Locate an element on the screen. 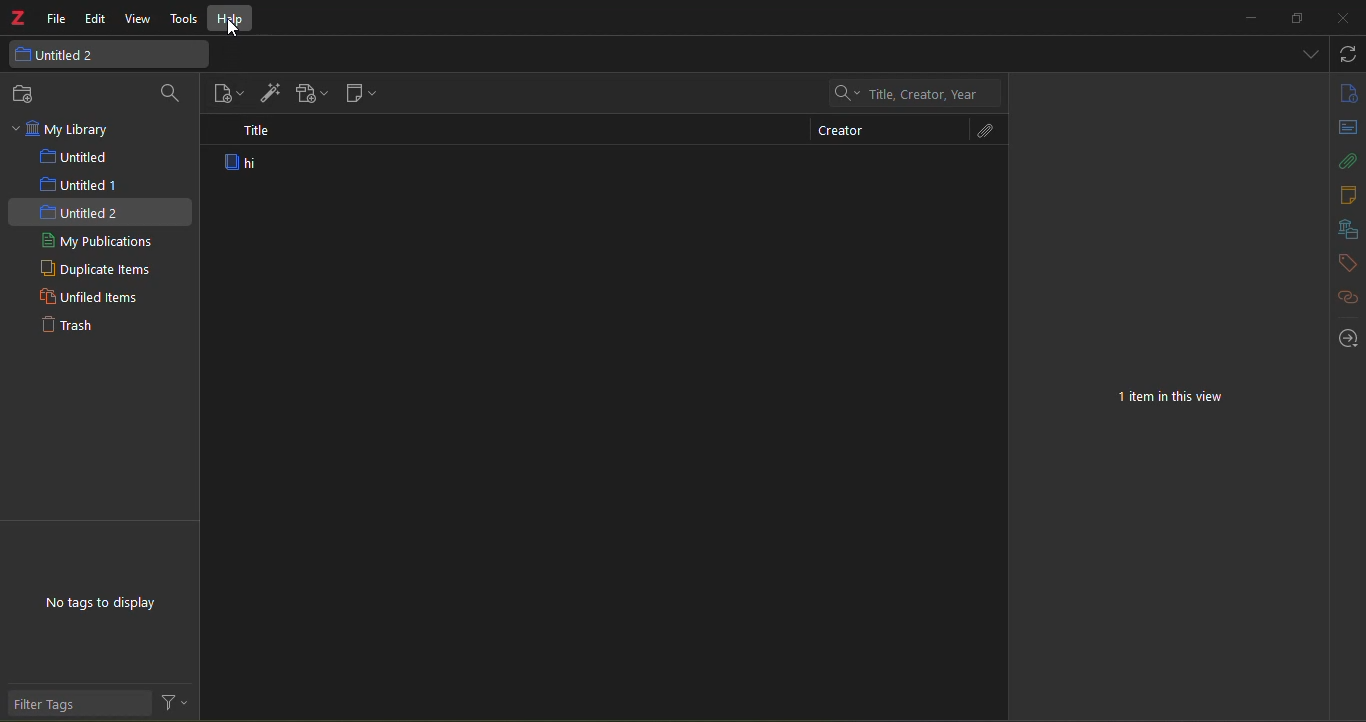 The image size is (1366, 722). add item is located at coordinates (268, 93).